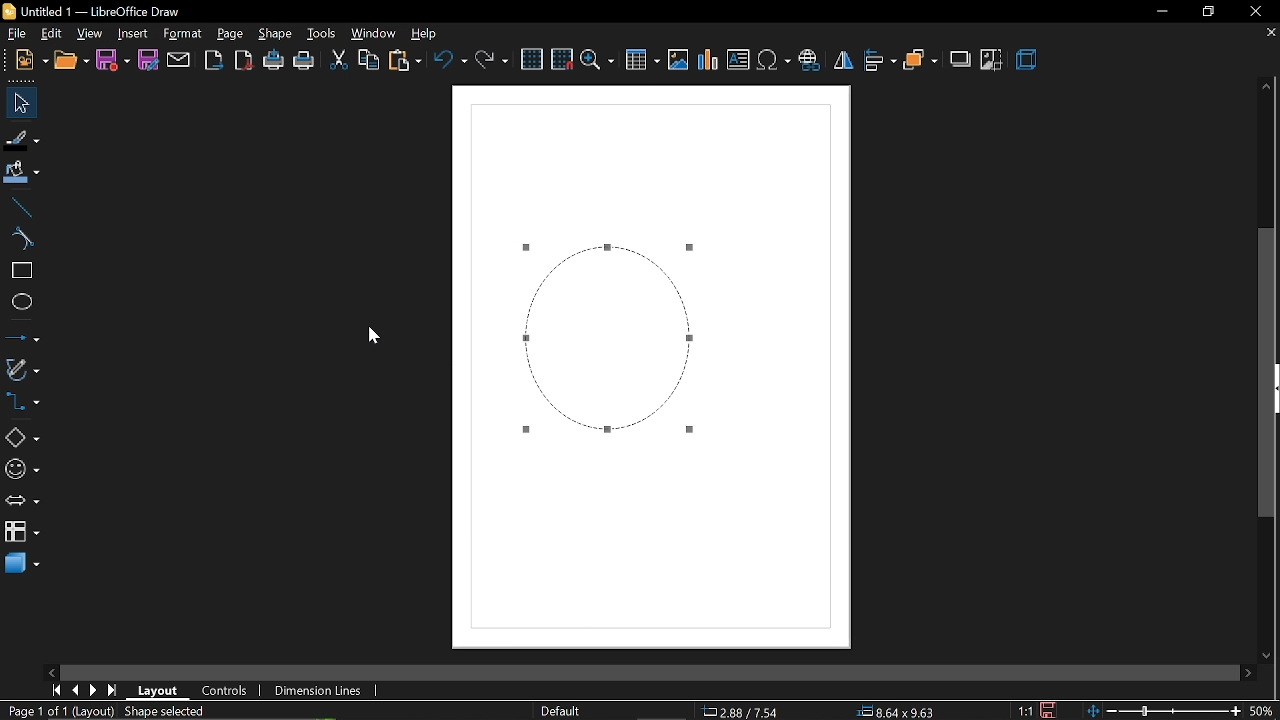 The width and height of the screenshot is (1280, 720). I want to click on grid, so click(534, 59).